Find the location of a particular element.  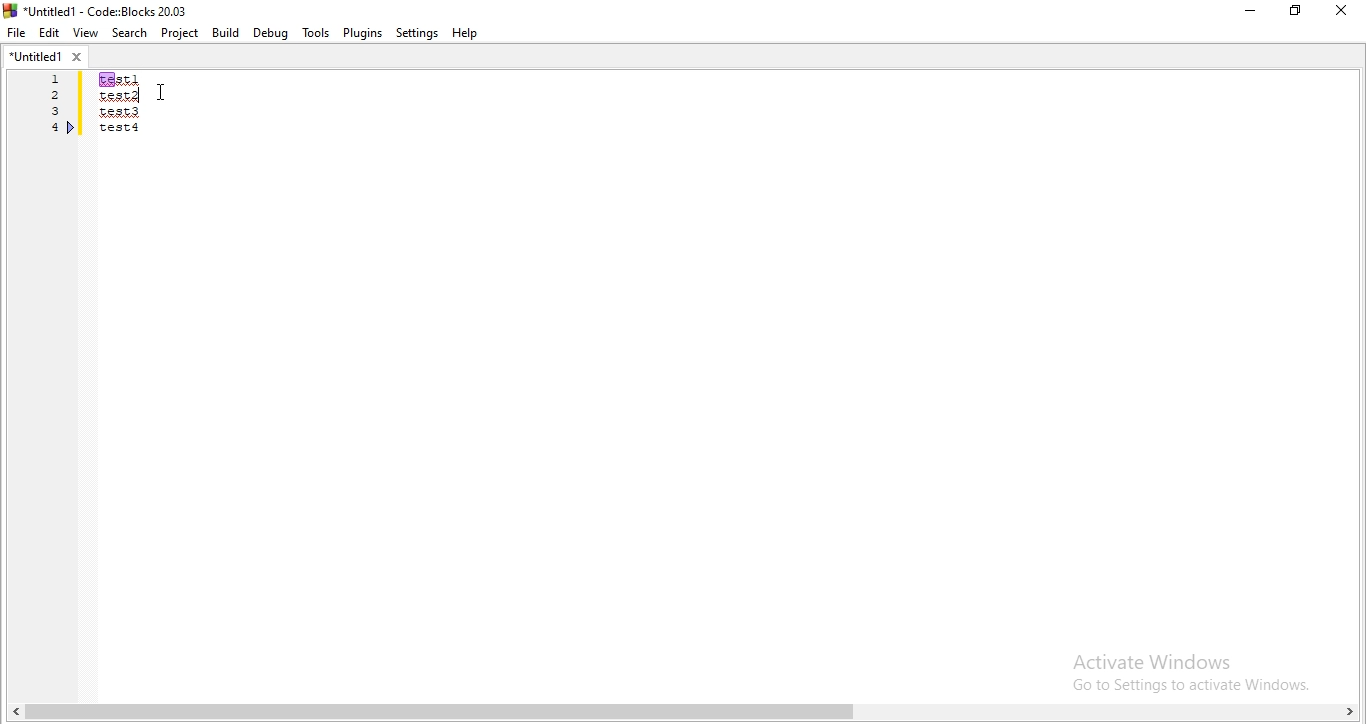

Restore is located at coordinates (1294, 11).